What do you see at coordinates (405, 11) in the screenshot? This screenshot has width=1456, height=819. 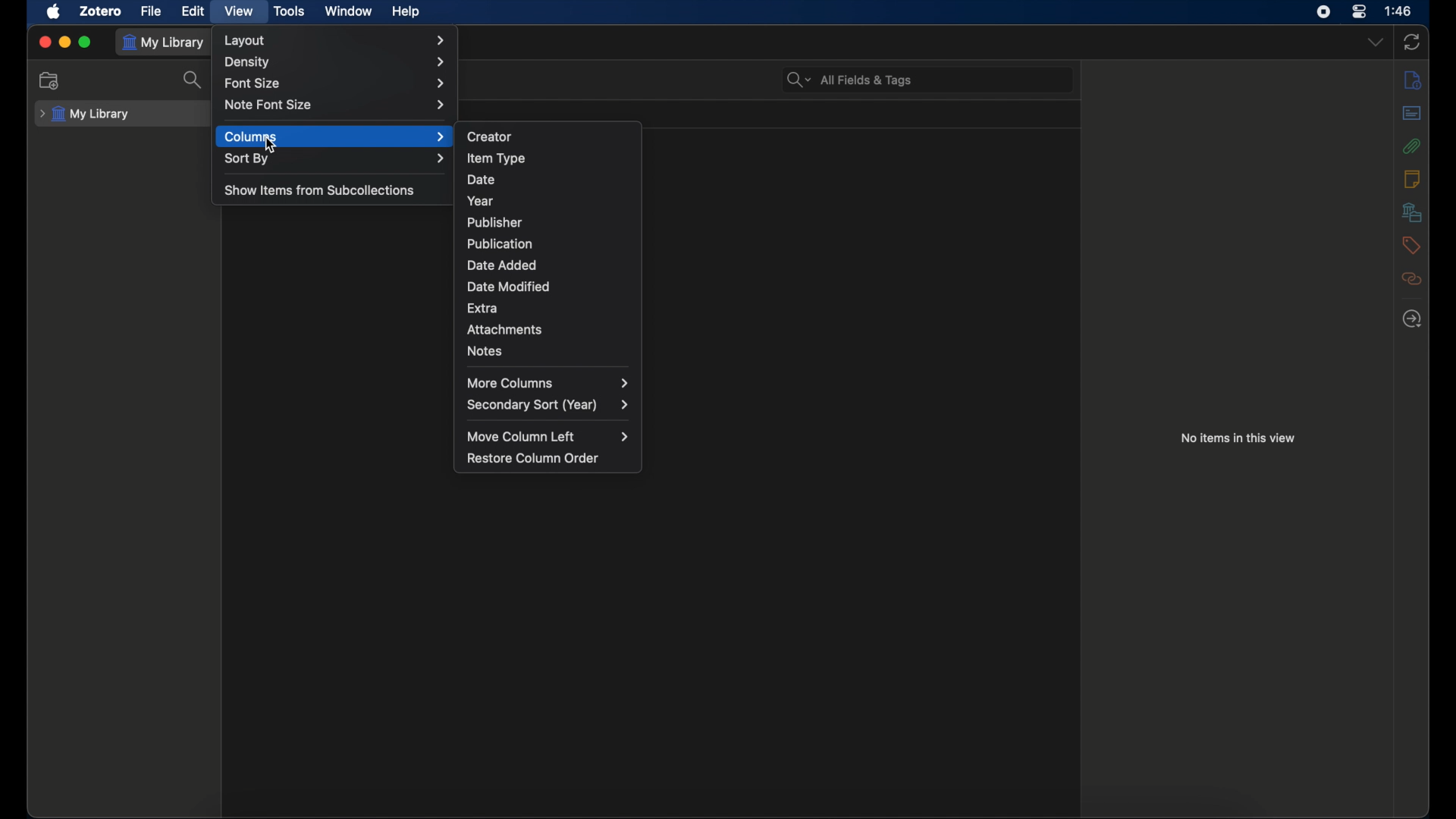 I see `help` at bounding box center [405, 11].